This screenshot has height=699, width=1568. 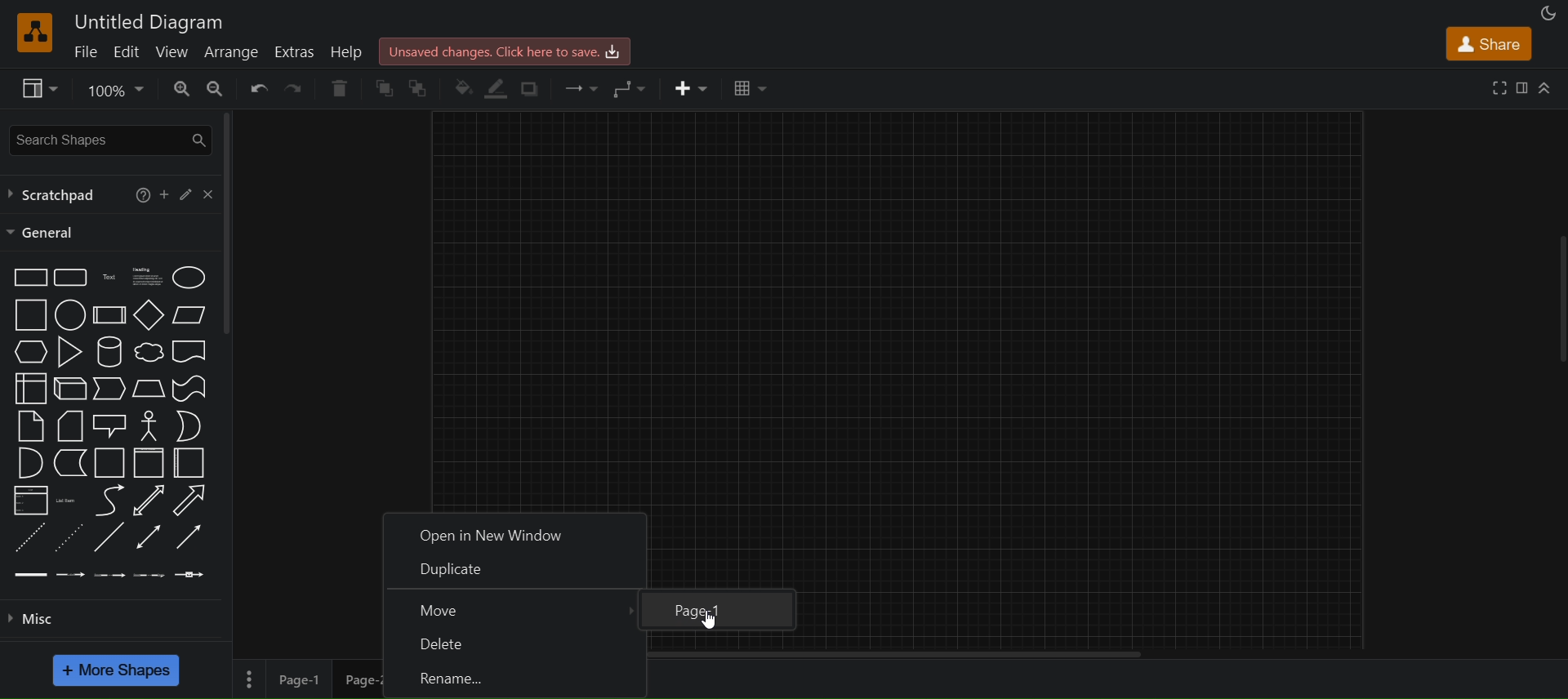 I want to click on or, so click(x=189, y=425).